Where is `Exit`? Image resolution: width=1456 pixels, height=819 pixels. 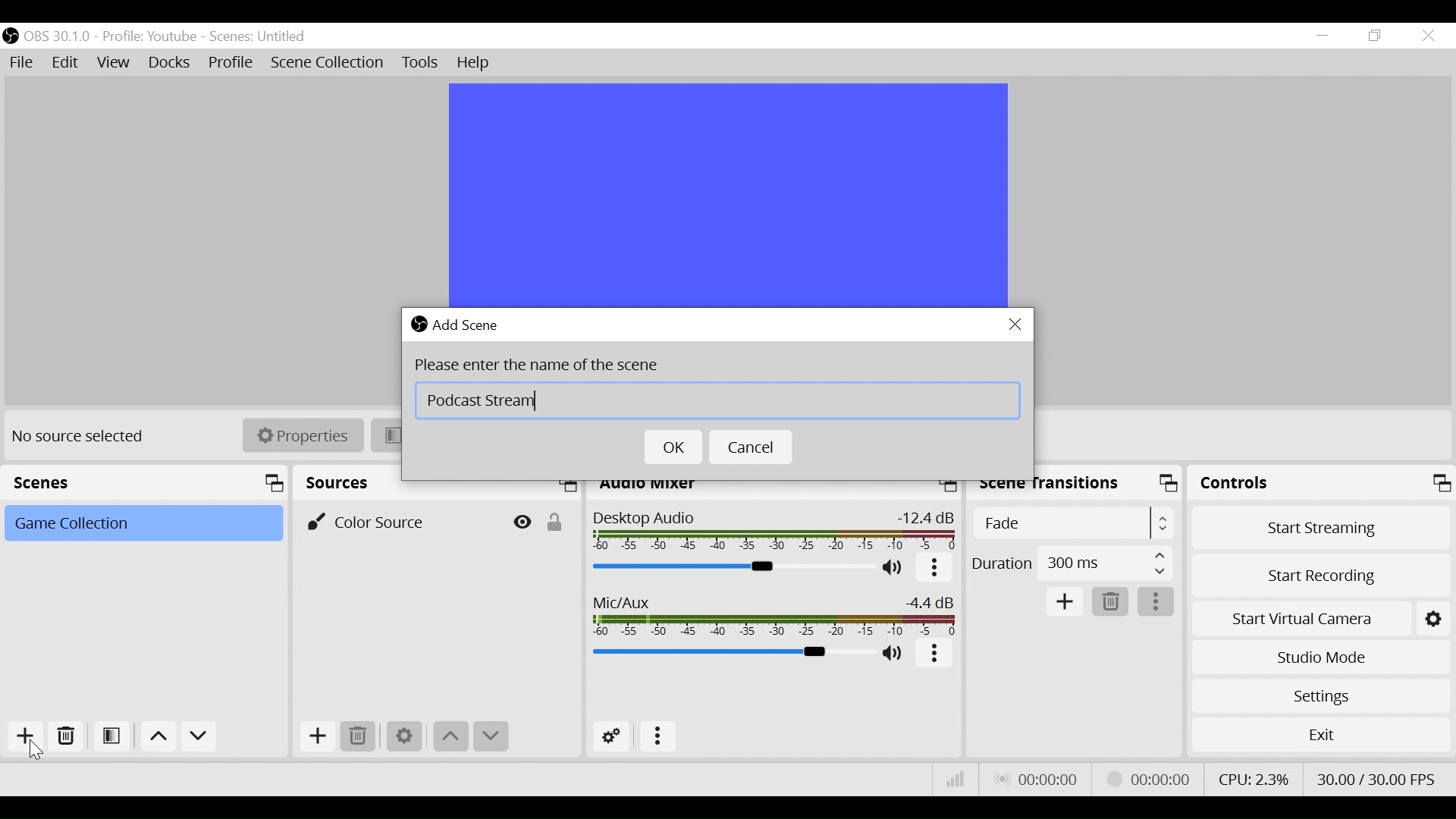
Exit is located at coordinates (1321, 734).